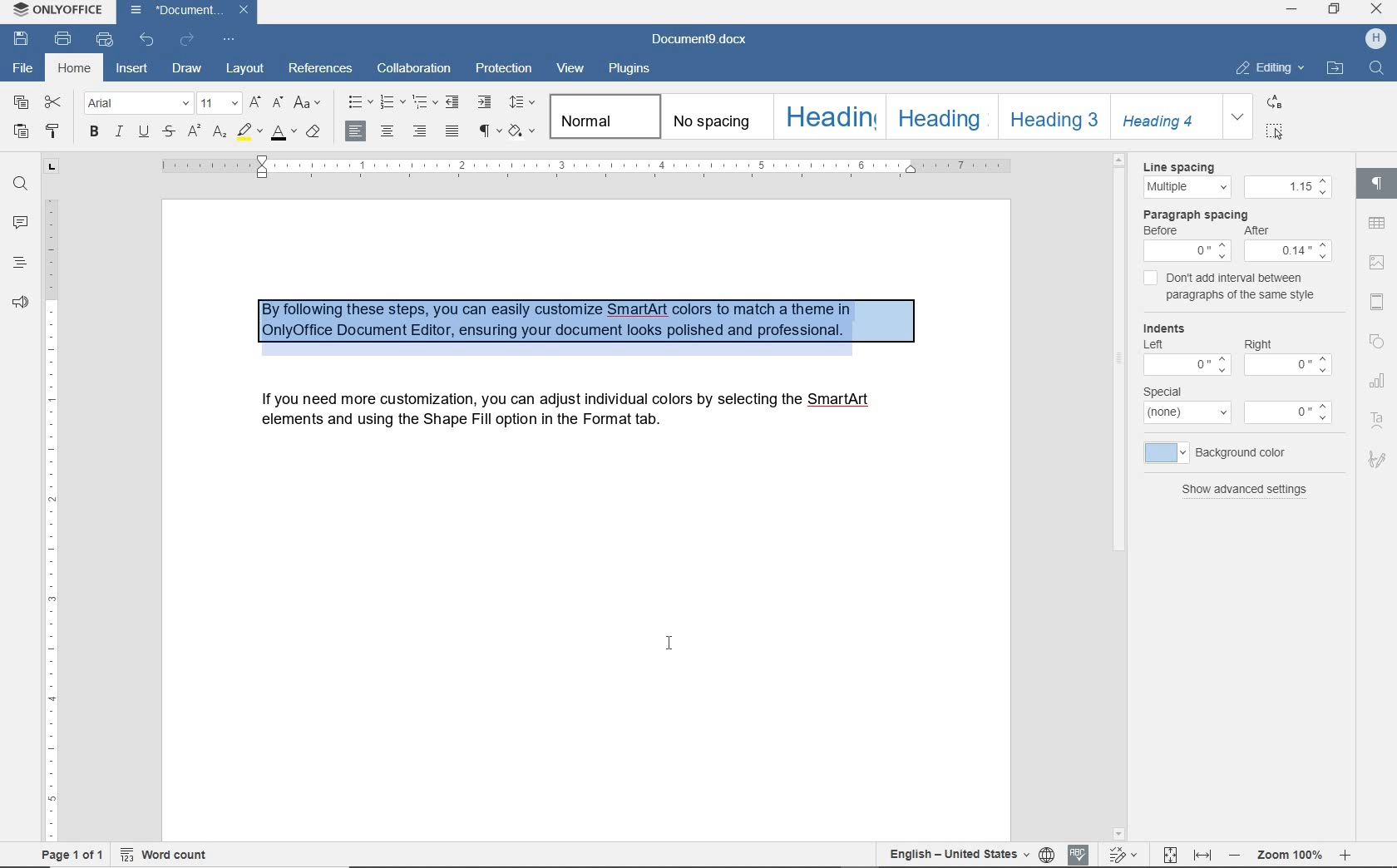 The height and width of the screenshot is (868, 1397). Describe the element at coordinates (313, 133) in the screenshot. I see `clear style` at that location.